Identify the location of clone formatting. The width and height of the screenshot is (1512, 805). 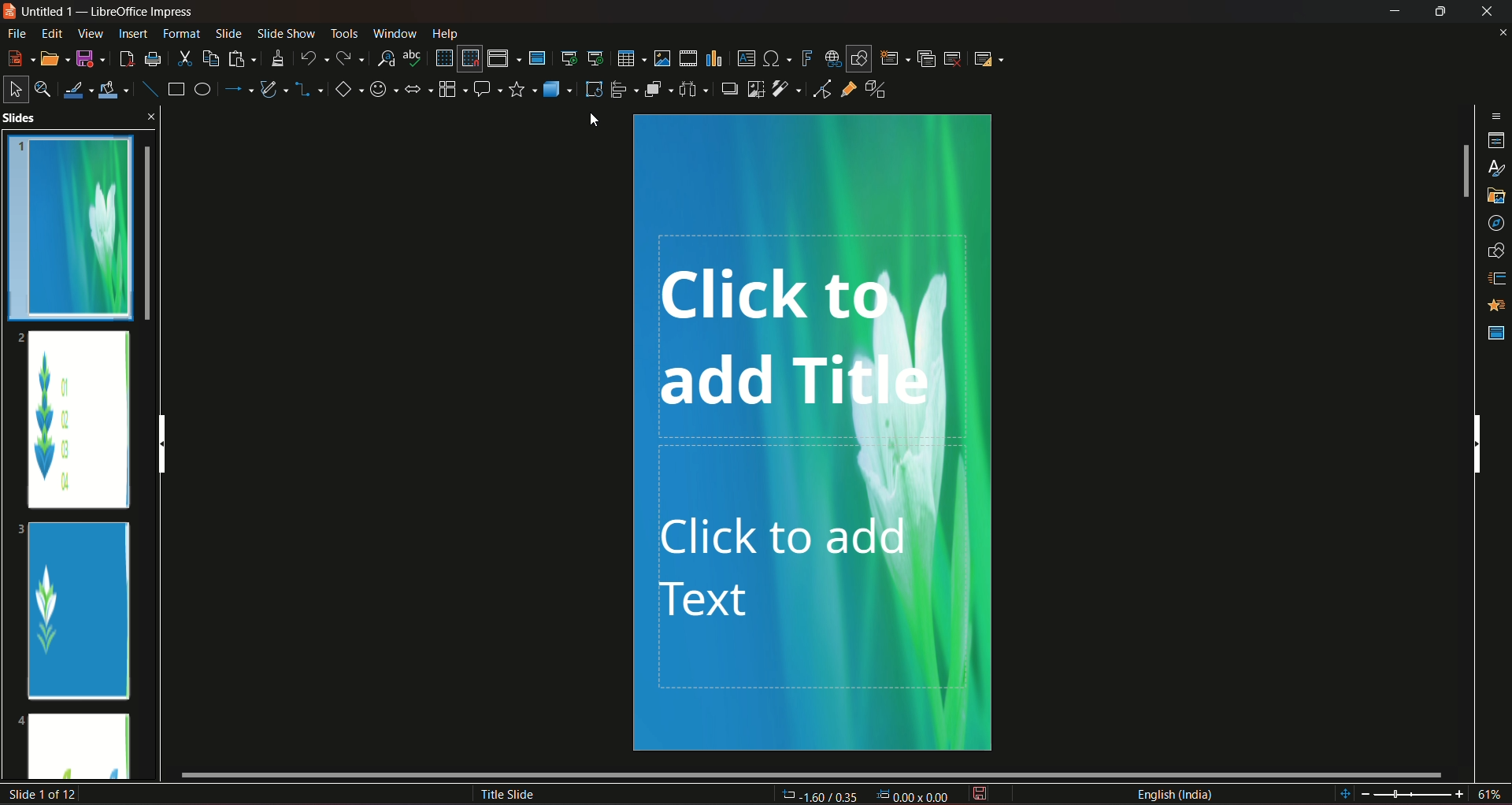
(280, 58).